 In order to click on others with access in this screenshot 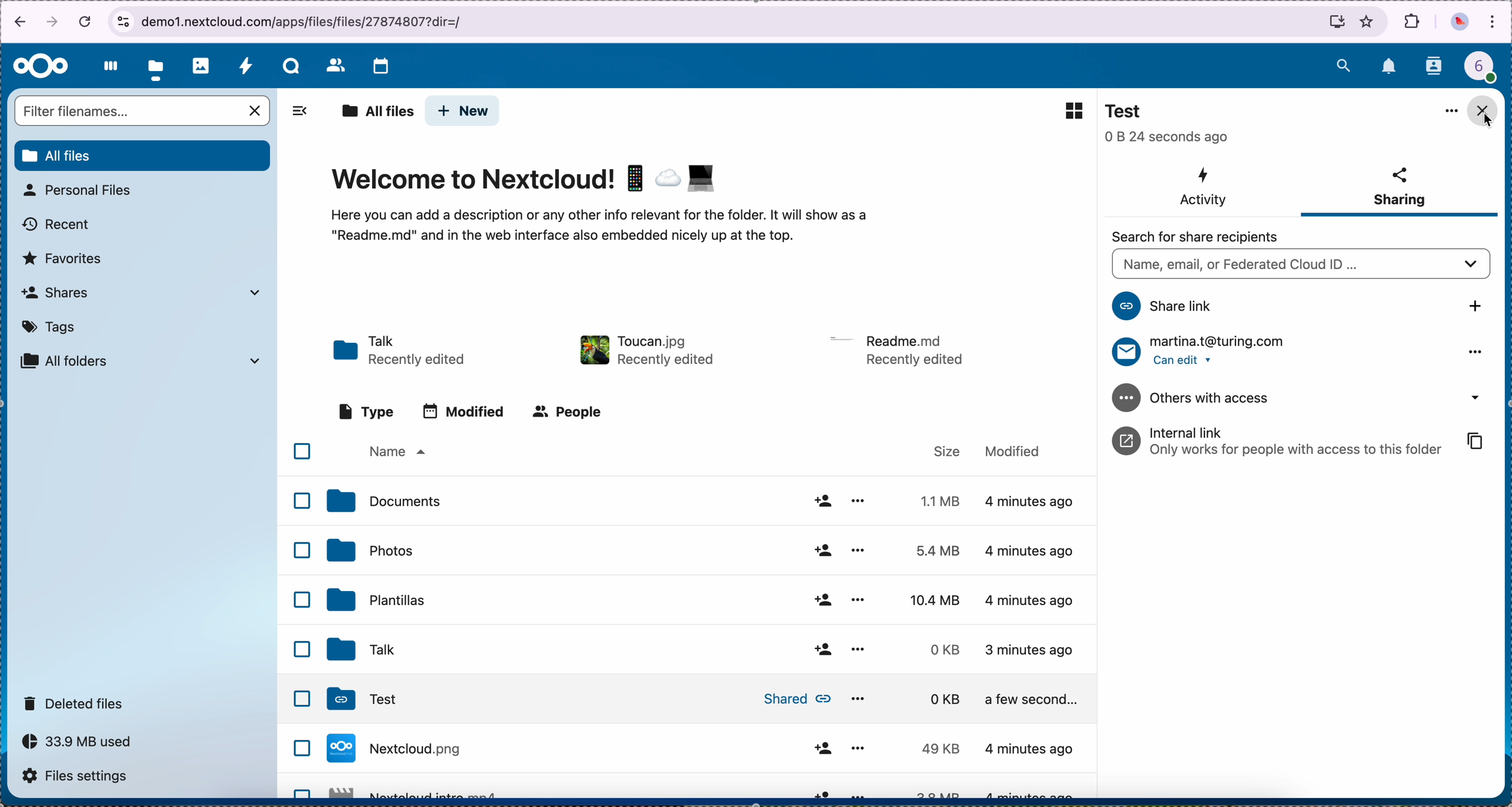, I will do `click(1305, 398)`.